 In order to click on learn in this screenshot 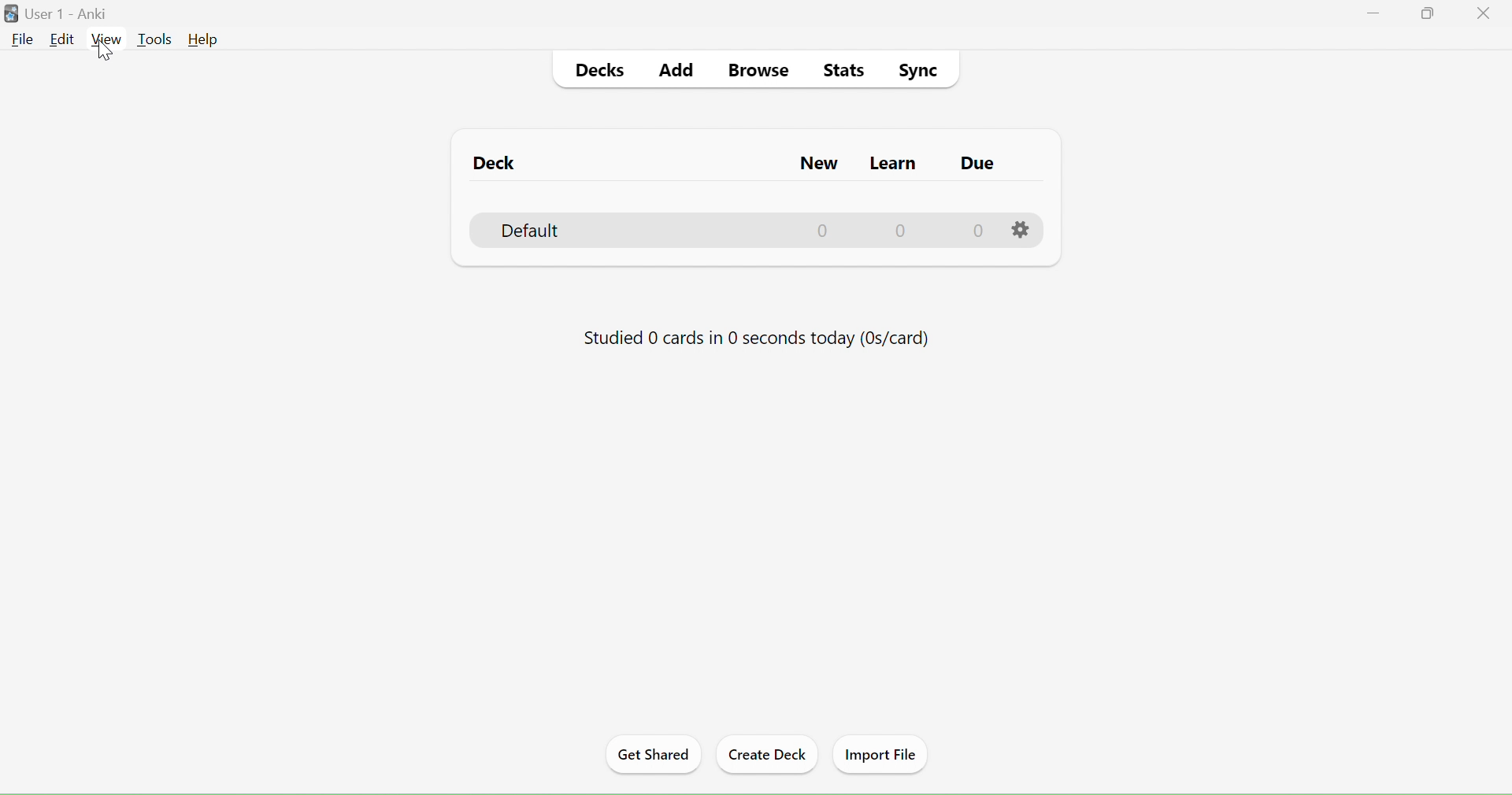, I will do `click(892, 198)`.